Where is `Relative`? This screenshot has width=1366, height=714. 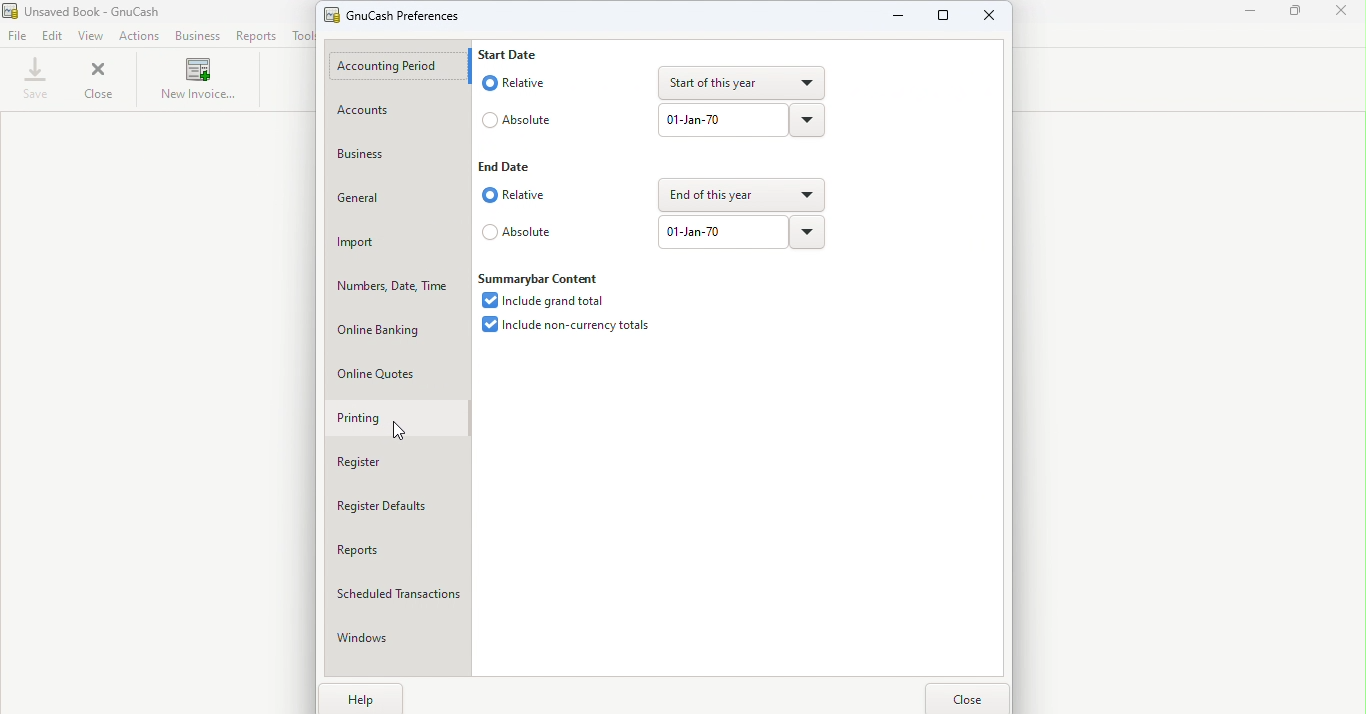 Relative is located at coordinates (516, 83).